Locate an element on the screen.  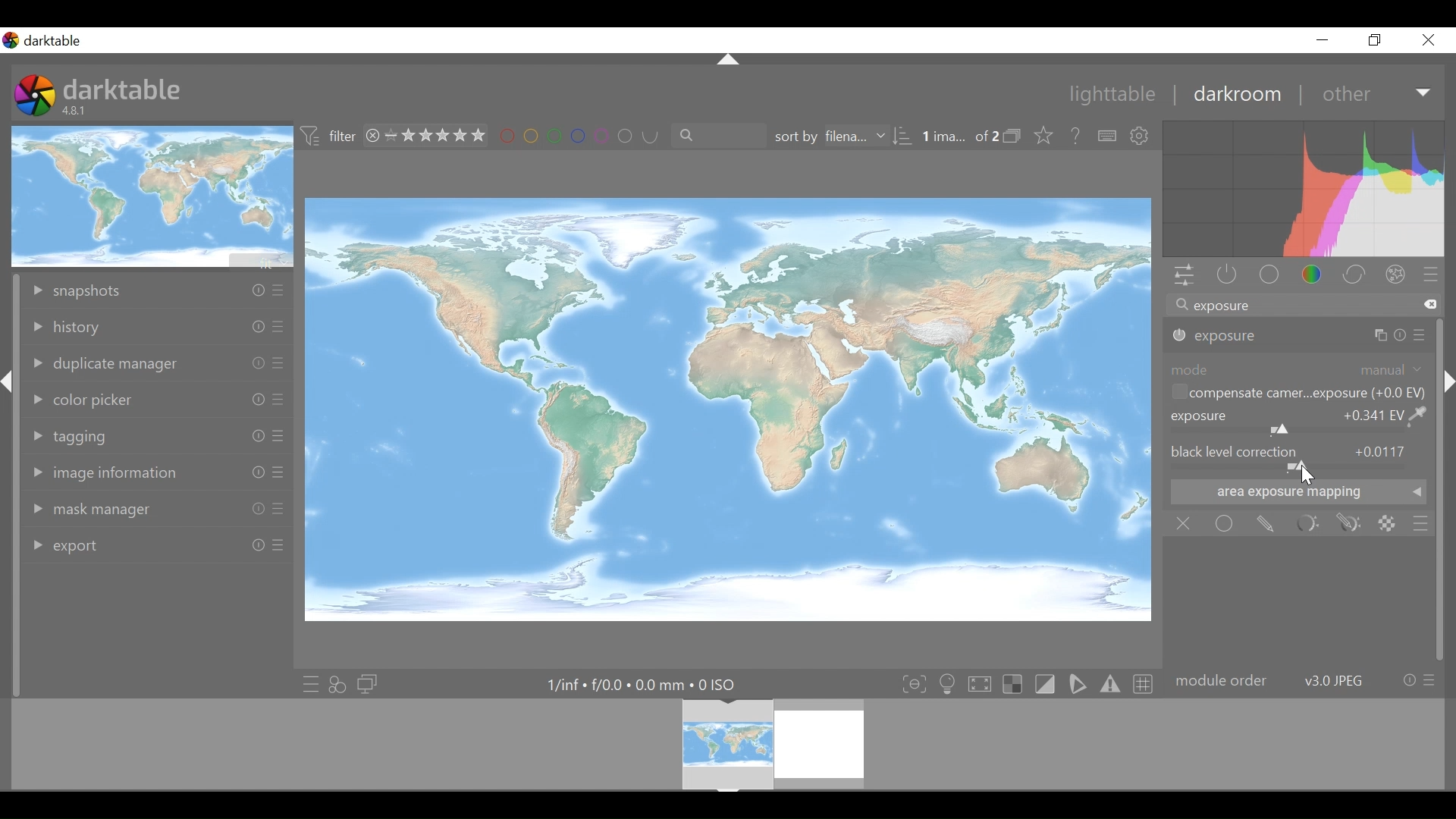
vertical scroll bar is located at coordinates (13, 553).